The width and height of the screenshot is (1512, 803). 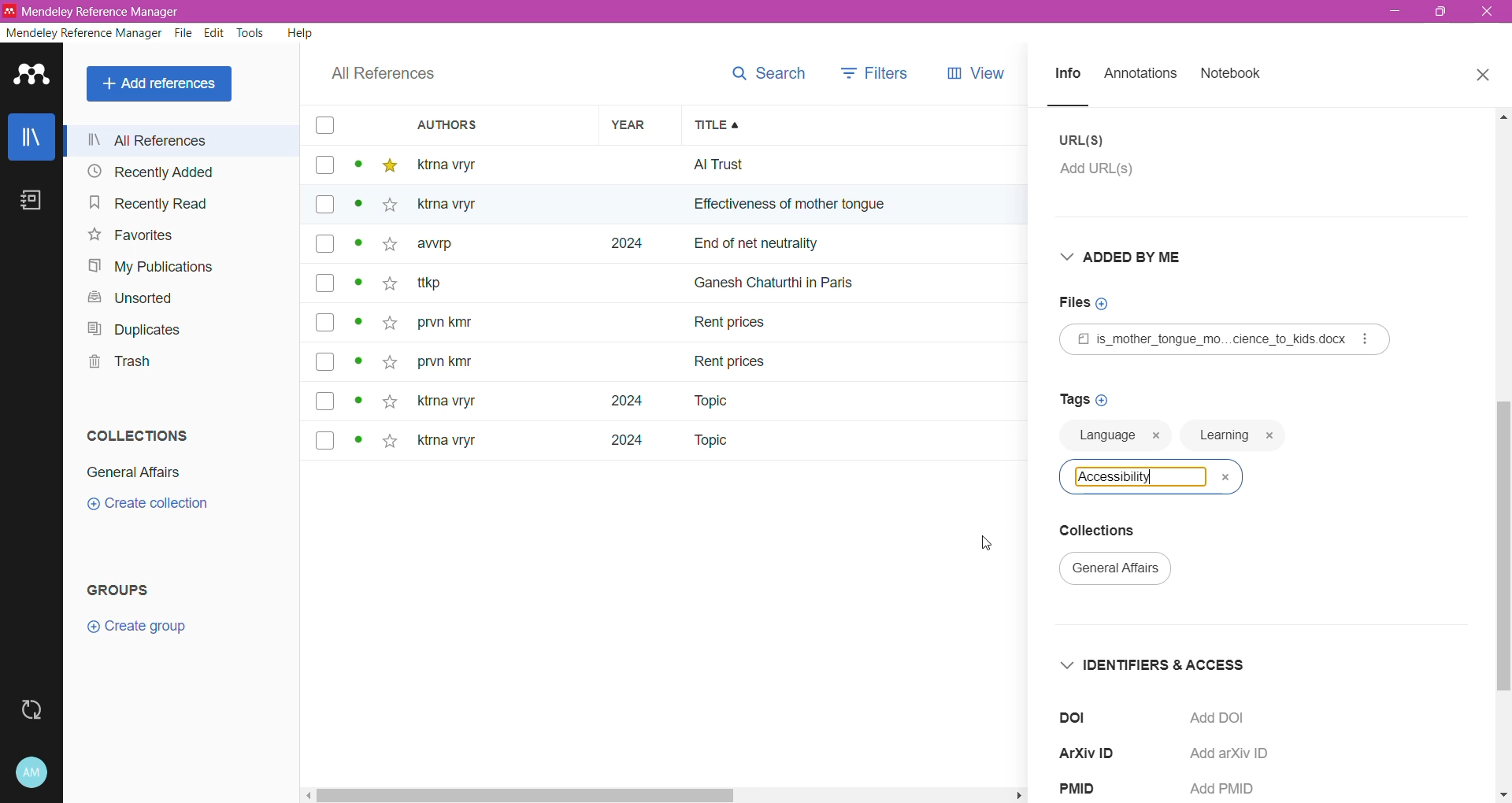 I want to click on Tag 3, so click(x=1150, y=476).